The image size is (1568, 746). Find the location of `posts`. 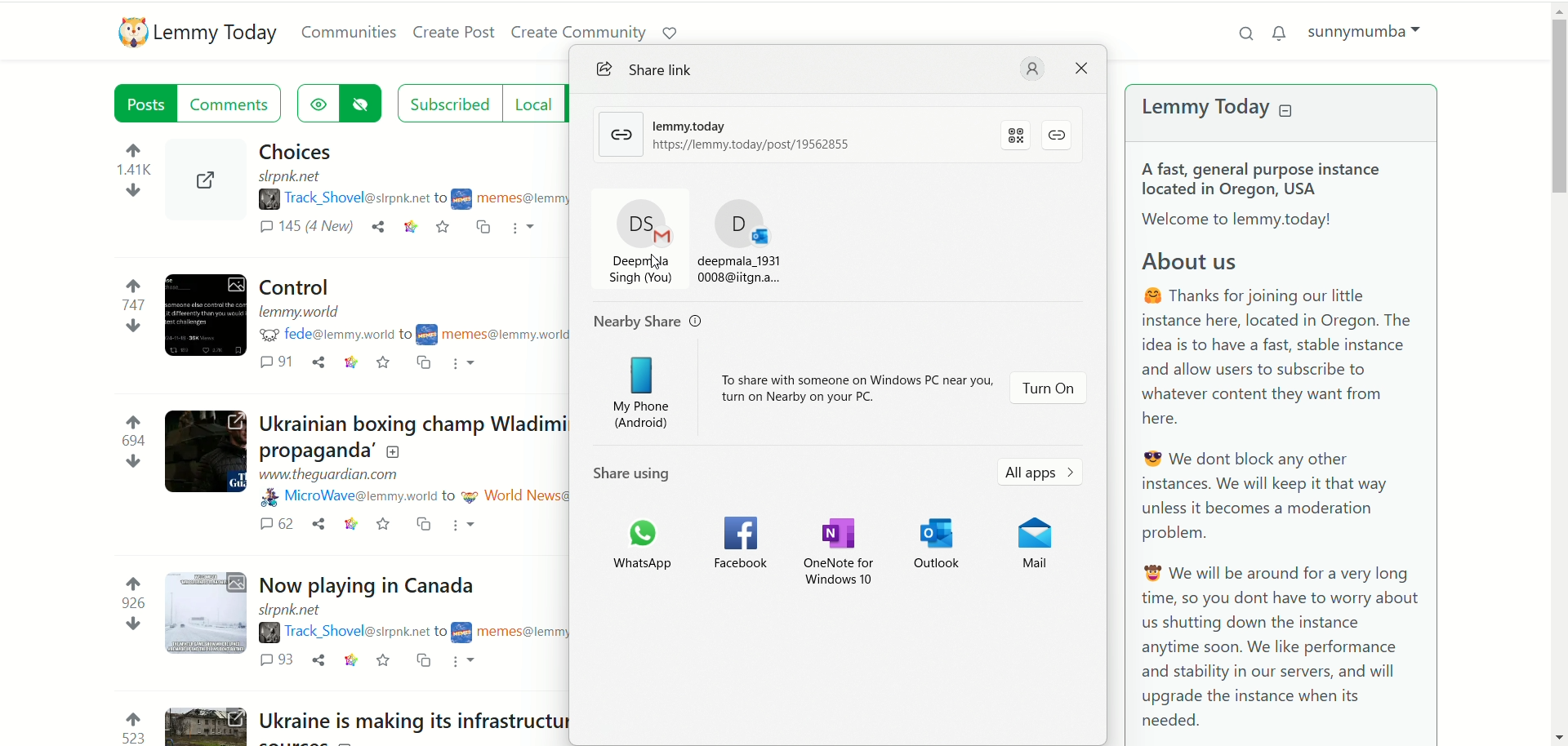

posts is located at coordinates (146, 102).